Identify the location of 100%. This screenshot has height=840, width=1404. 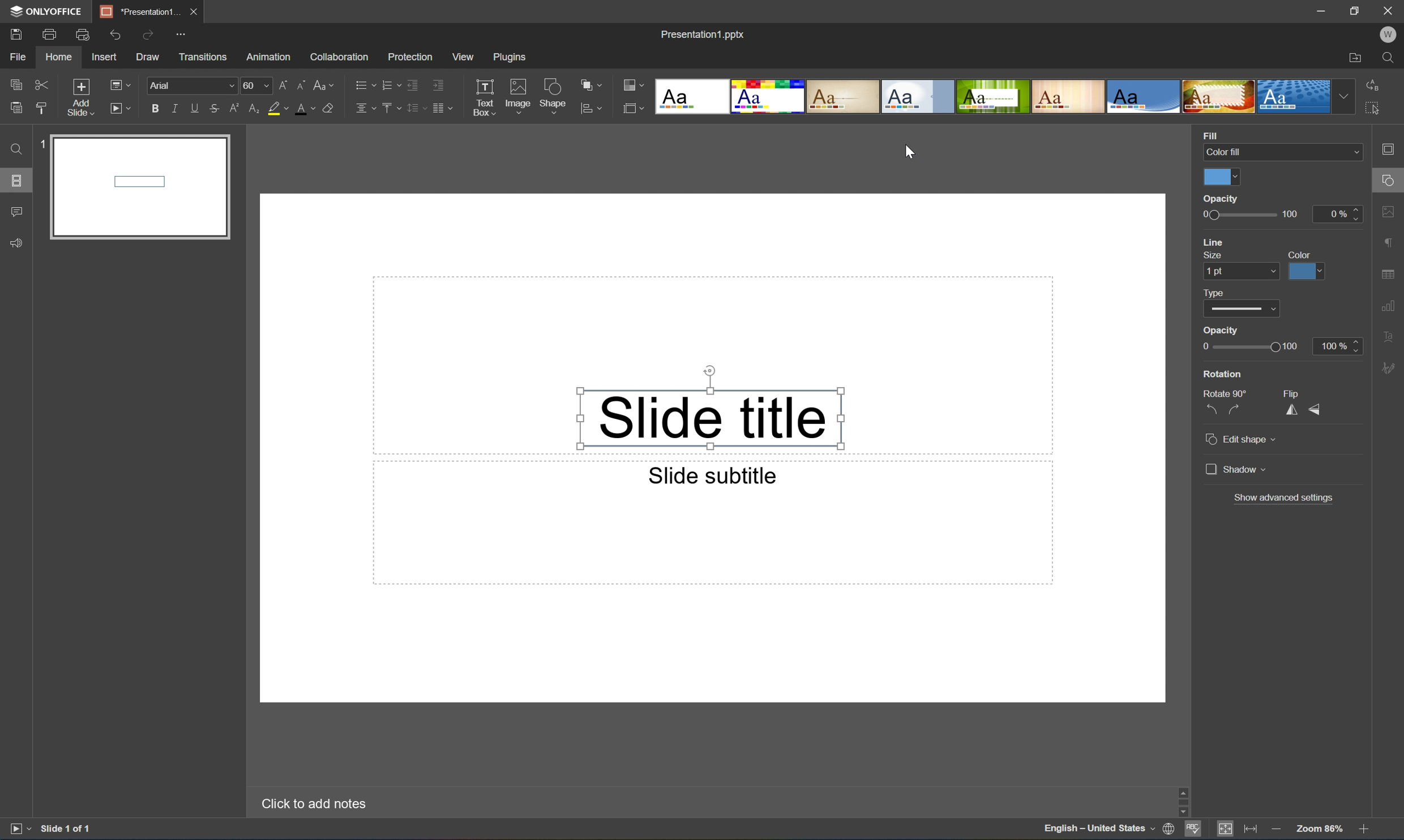
(1340, 345).